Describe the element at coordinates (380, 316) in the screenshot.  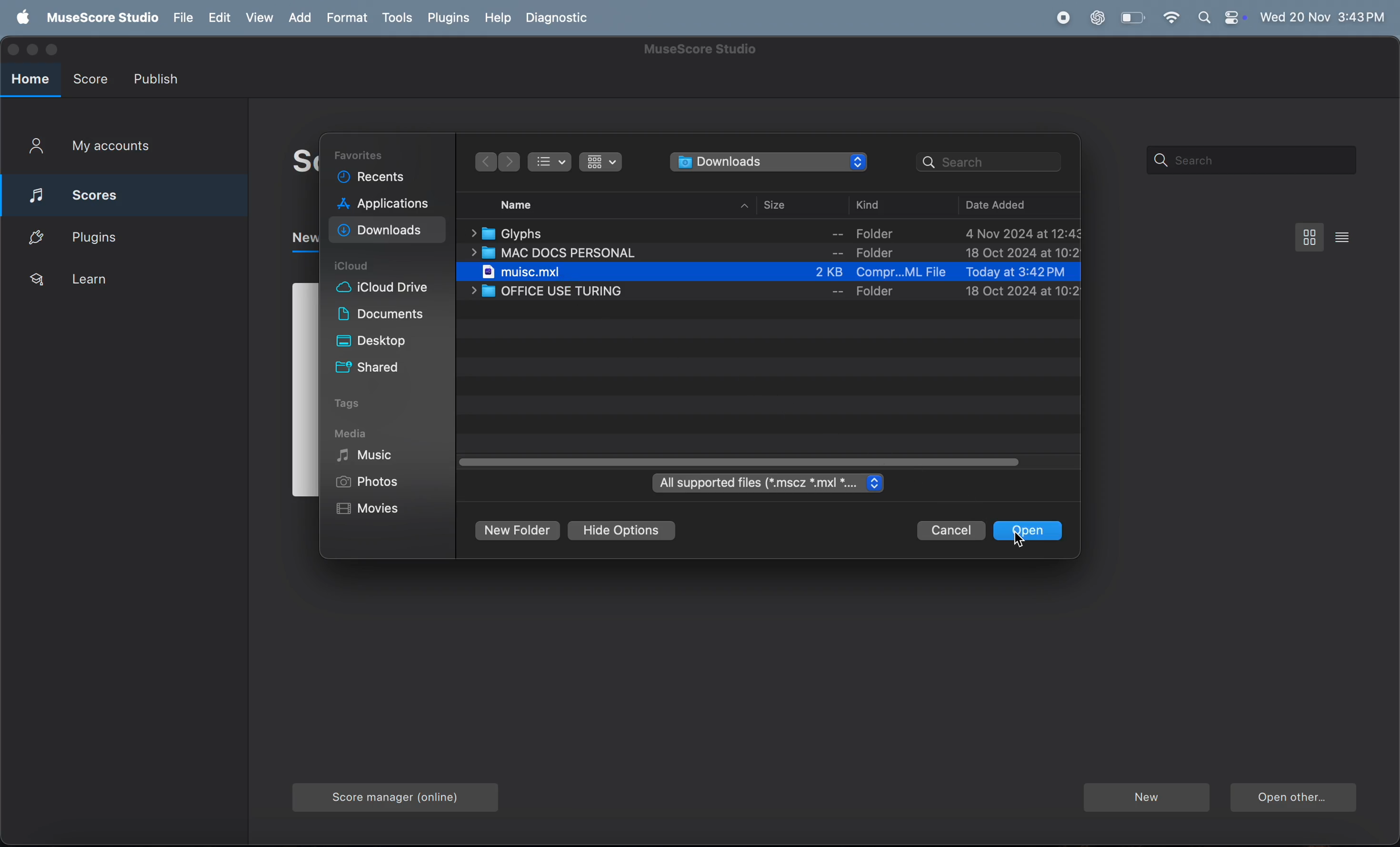
I see `documents` at that location.